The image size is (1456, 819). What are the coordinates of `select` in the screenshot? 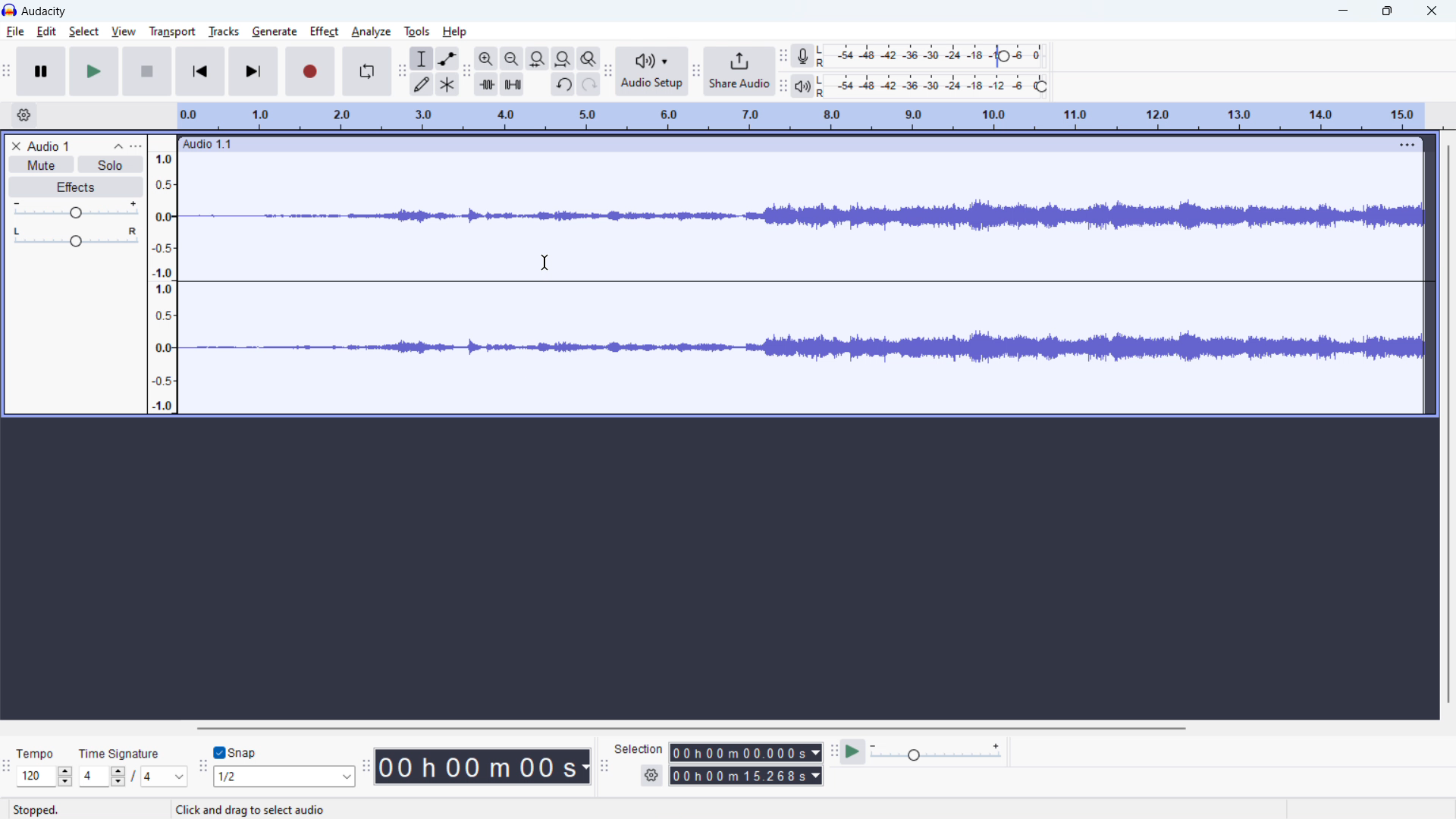 It's located at (84, 32).